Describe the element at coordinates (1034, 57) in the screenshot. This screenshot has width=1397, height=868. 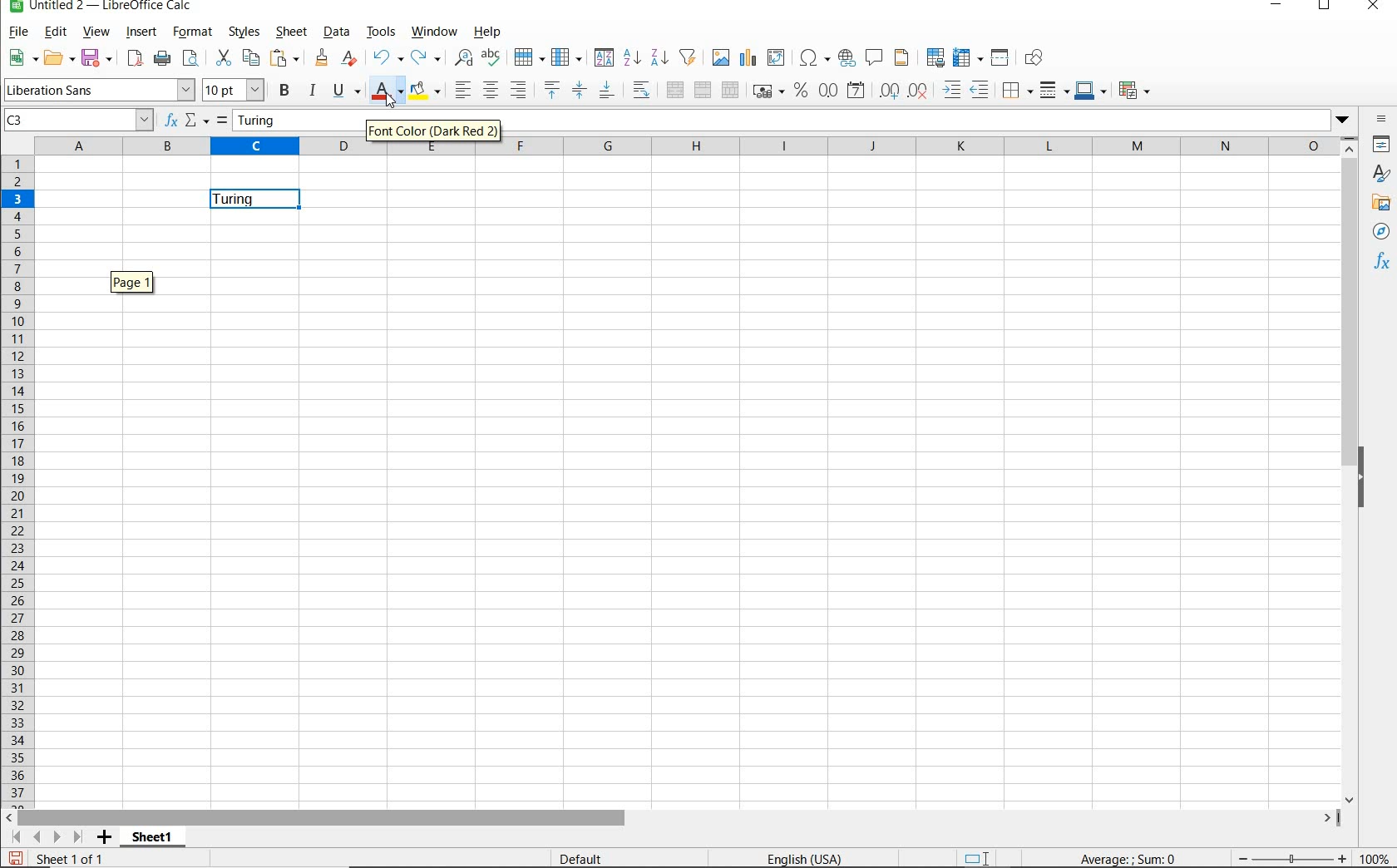
I see `SHOW DRAW FUNCTIONS` at that location.